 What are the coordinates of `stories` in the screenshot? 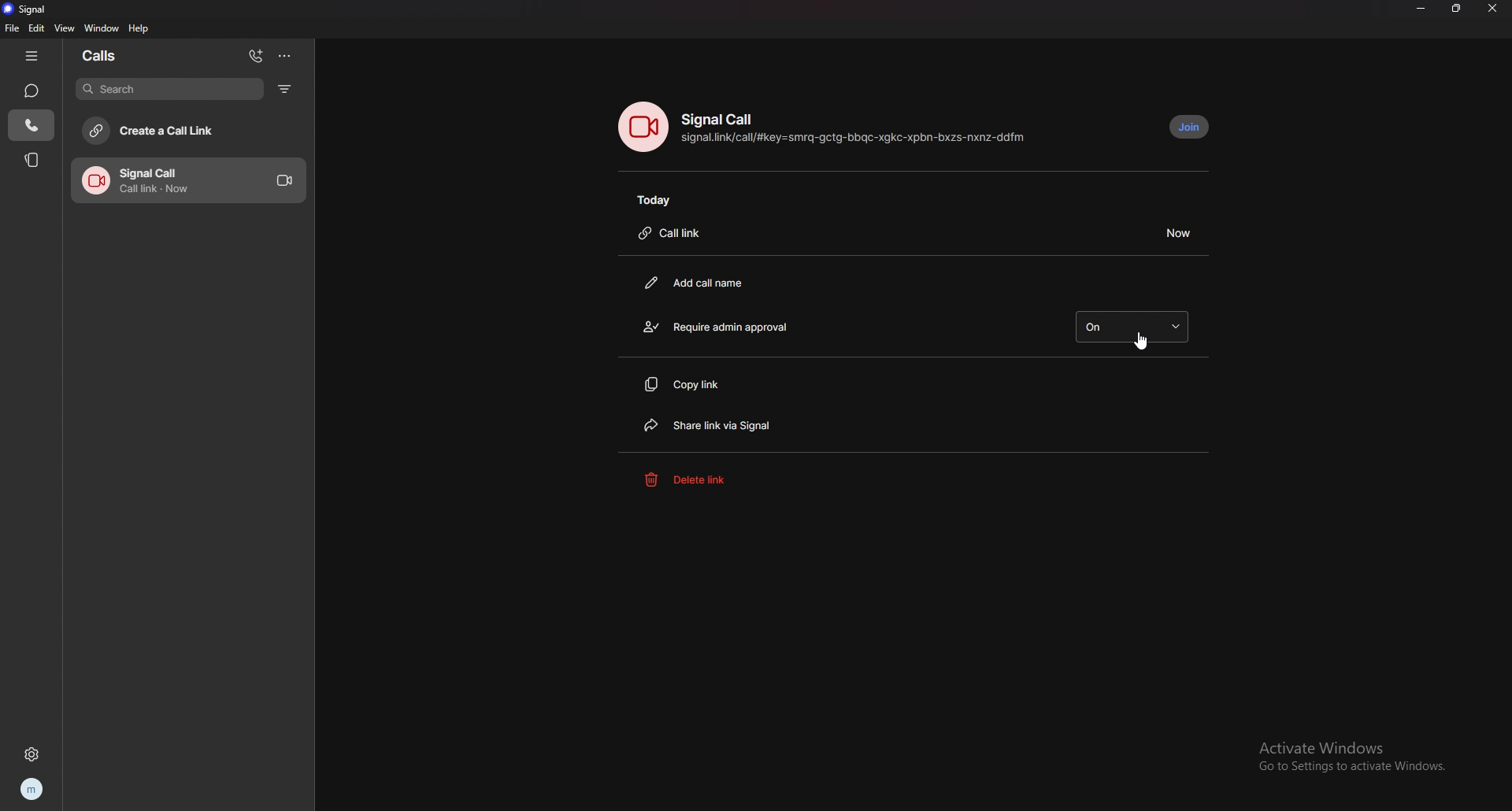 It's located at (33, 158).